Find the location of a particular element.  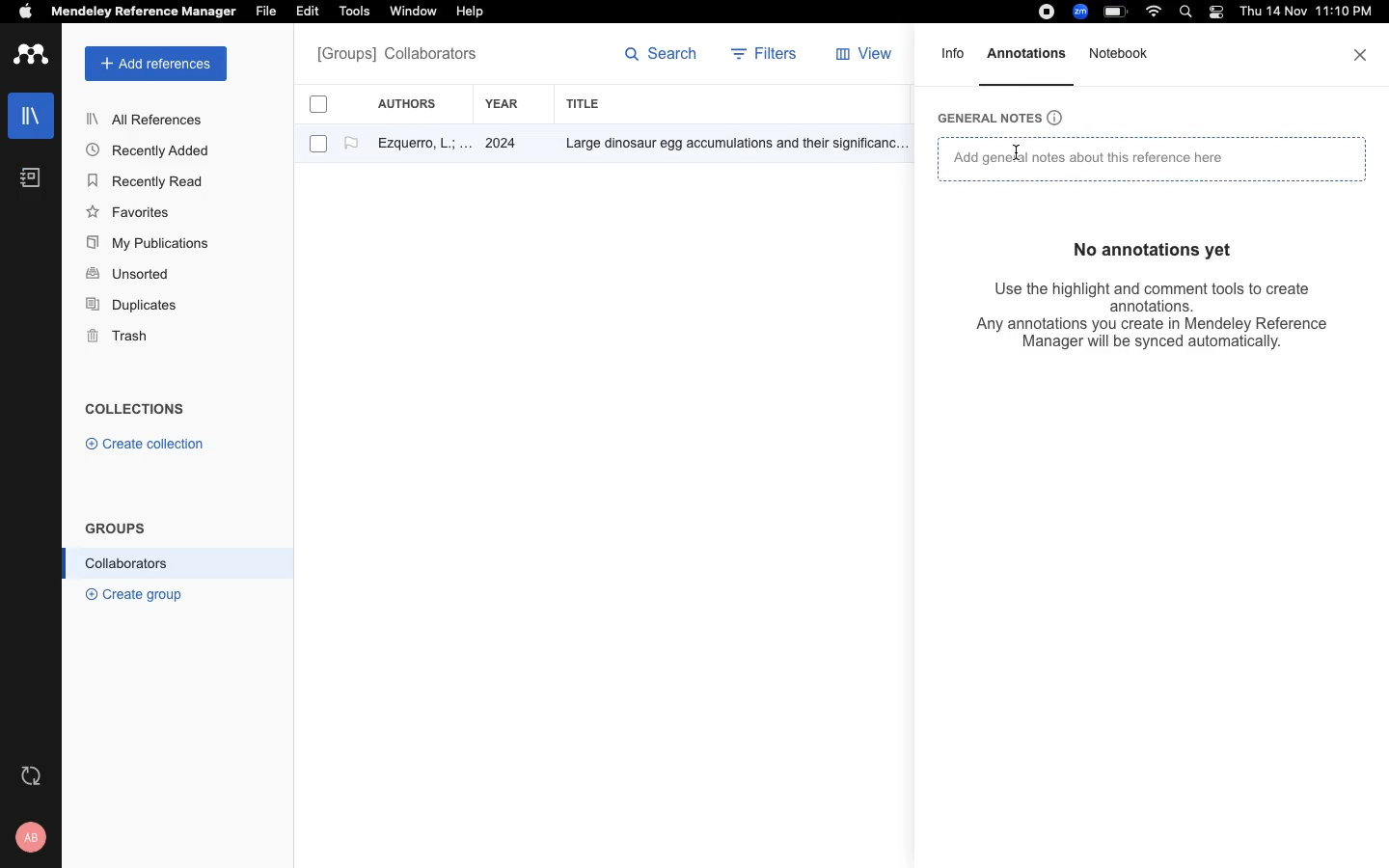

Recently Read is located at coordinates (148, 181).